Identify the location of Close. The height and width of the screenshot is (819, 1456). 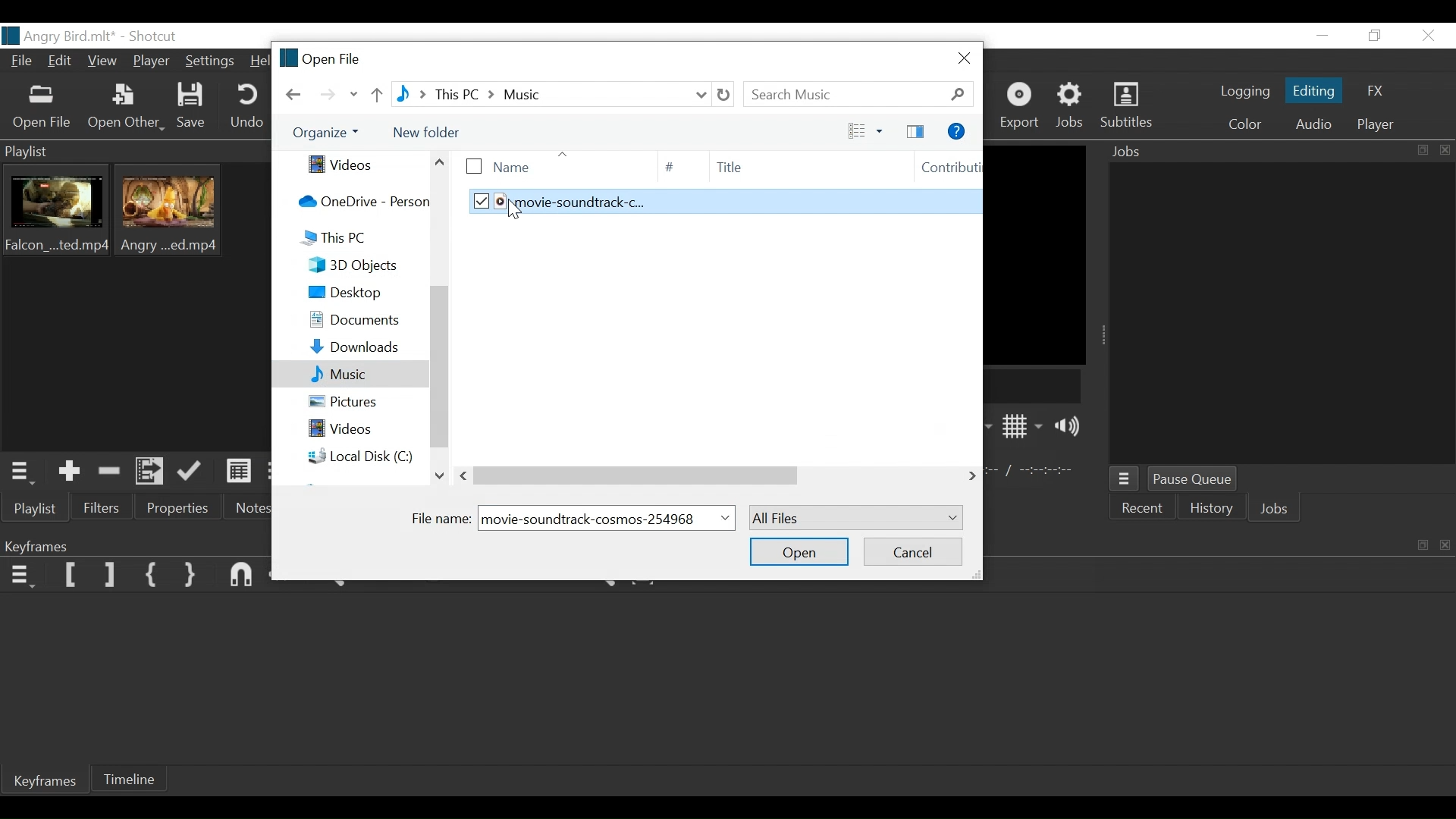
(1445, 543).